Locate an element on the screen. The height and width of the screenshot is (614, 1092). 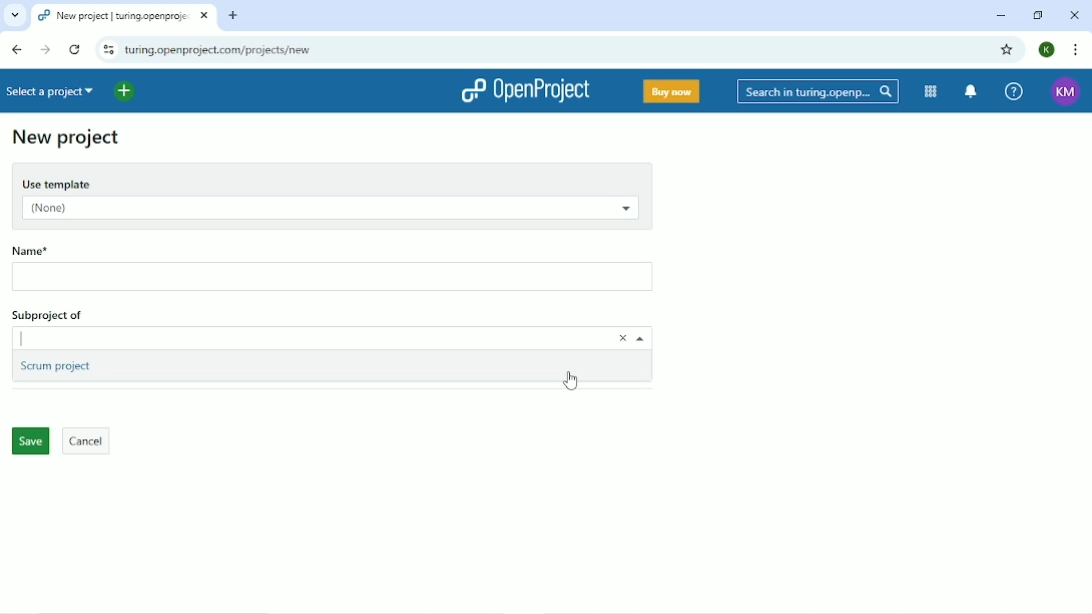
Subproject of is located at coordinates (77, 313).